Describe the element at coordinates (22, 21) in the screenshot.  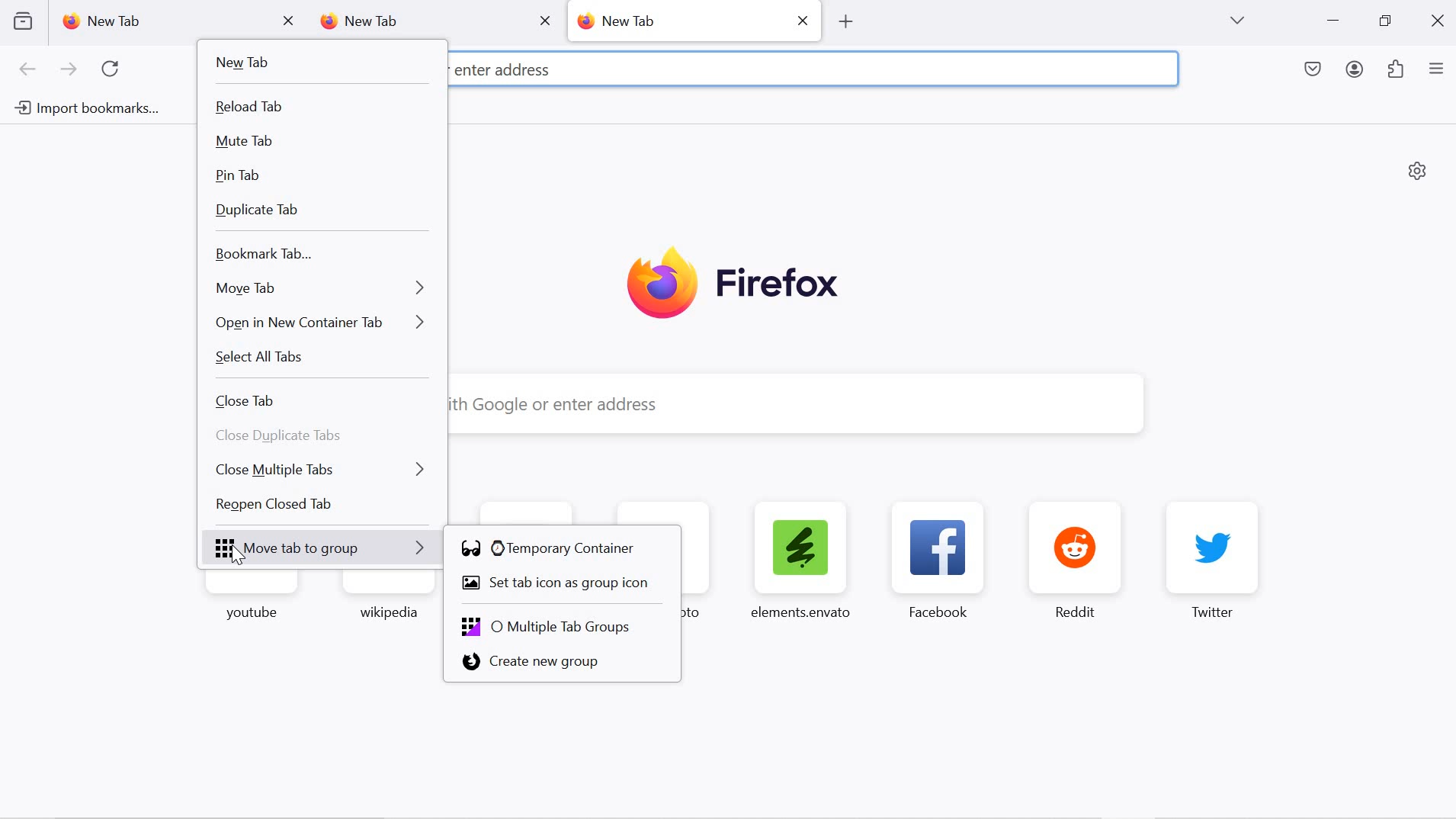
I see `view recent browsing across devices and windows` at that location.